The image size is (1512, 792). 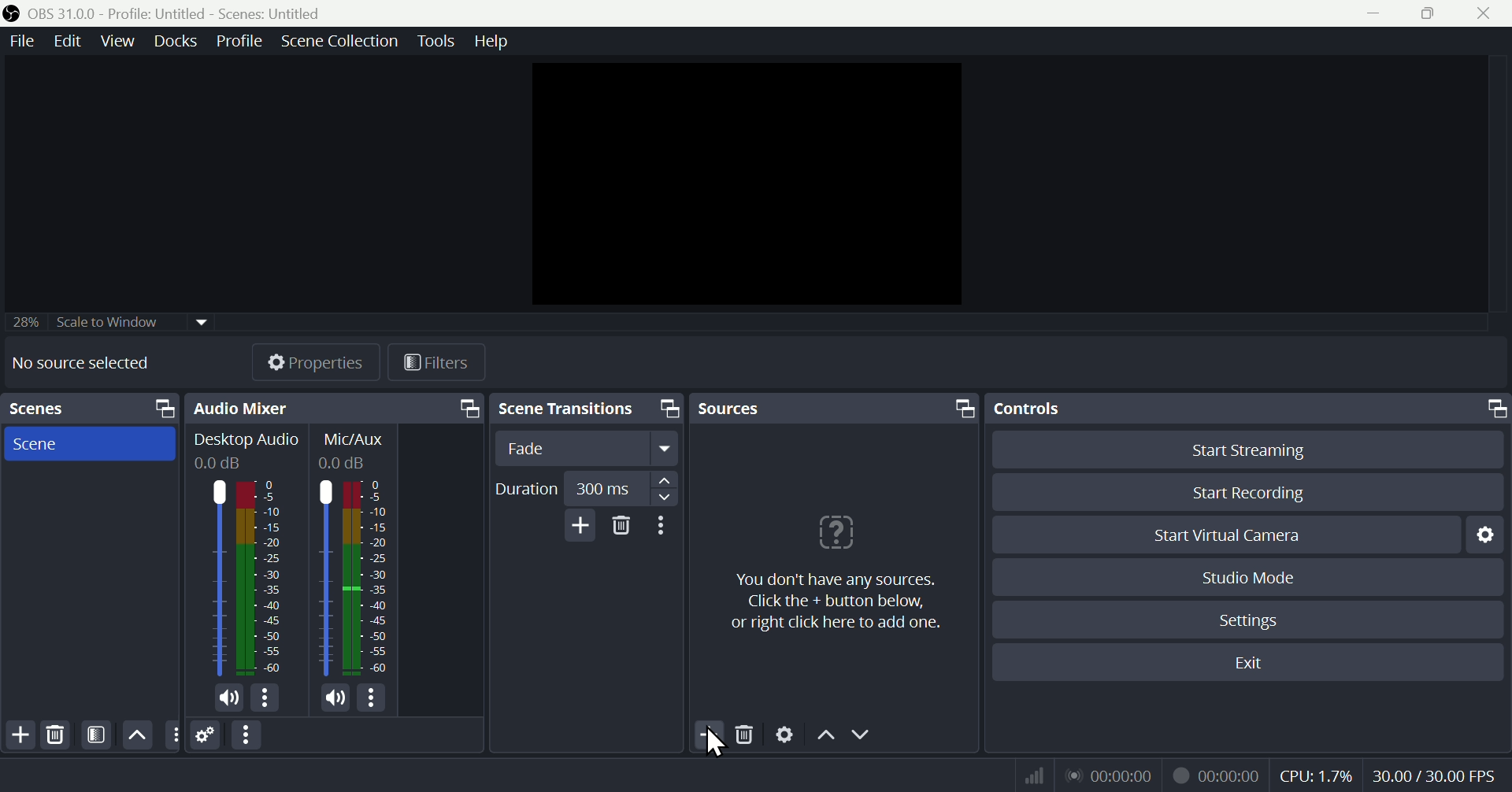 I want to click on Duration, so click(x=584, y=489).